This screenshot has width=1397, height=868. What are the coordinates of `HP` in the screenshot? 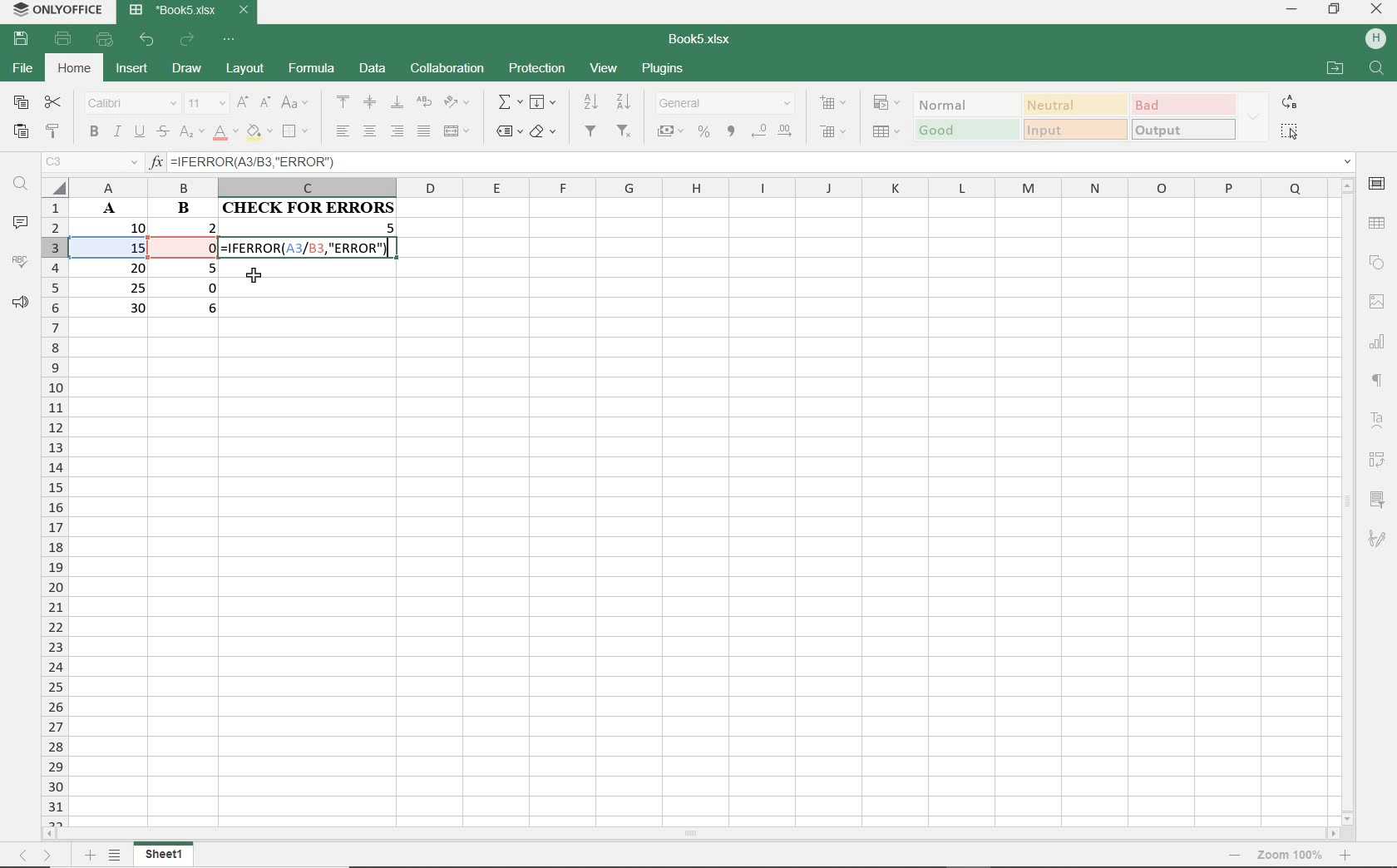 It's located at (1376, 39).